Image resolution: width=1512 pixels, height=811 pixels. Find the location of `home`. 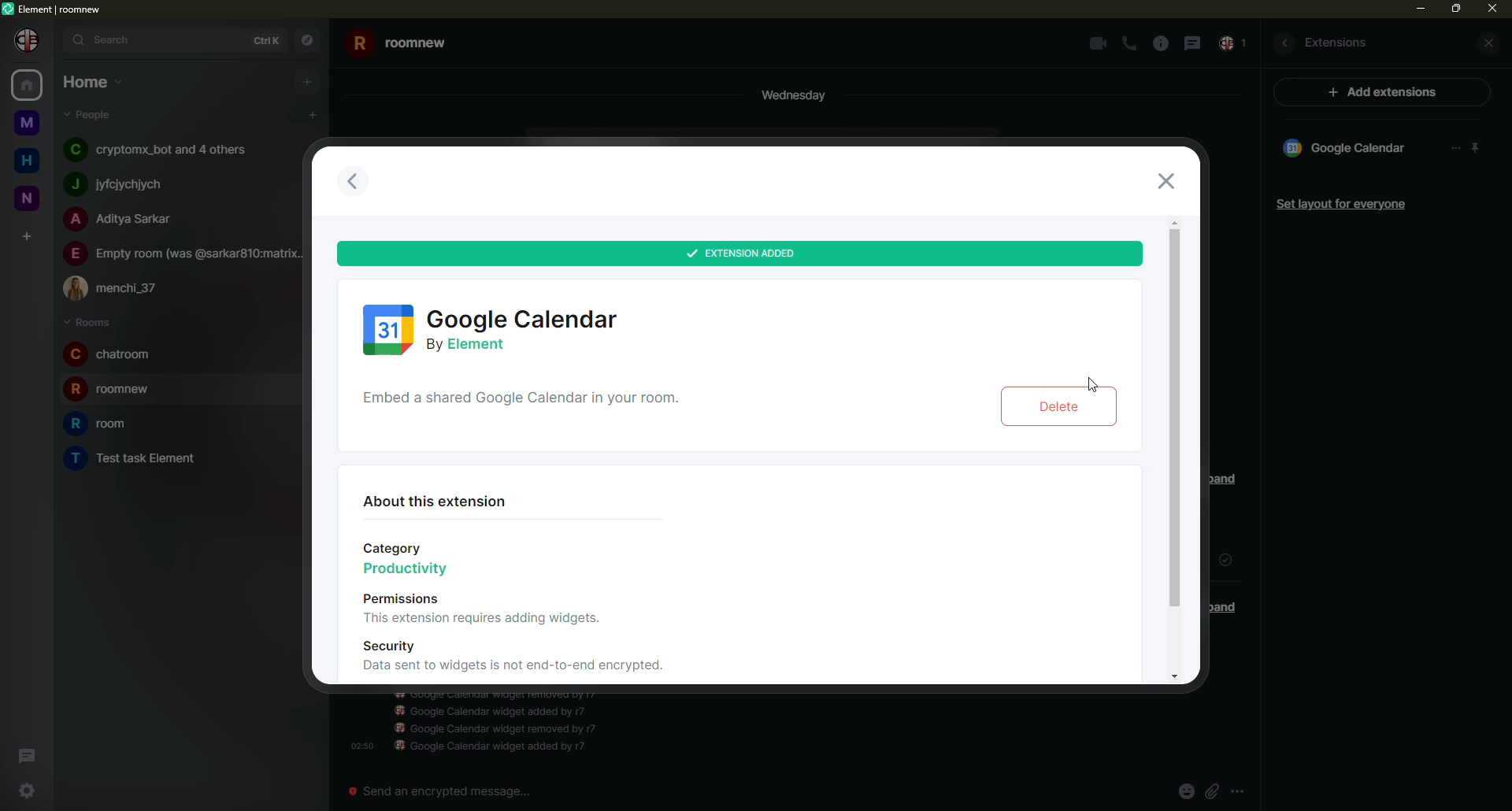

home is located at coordinates (28, 161).